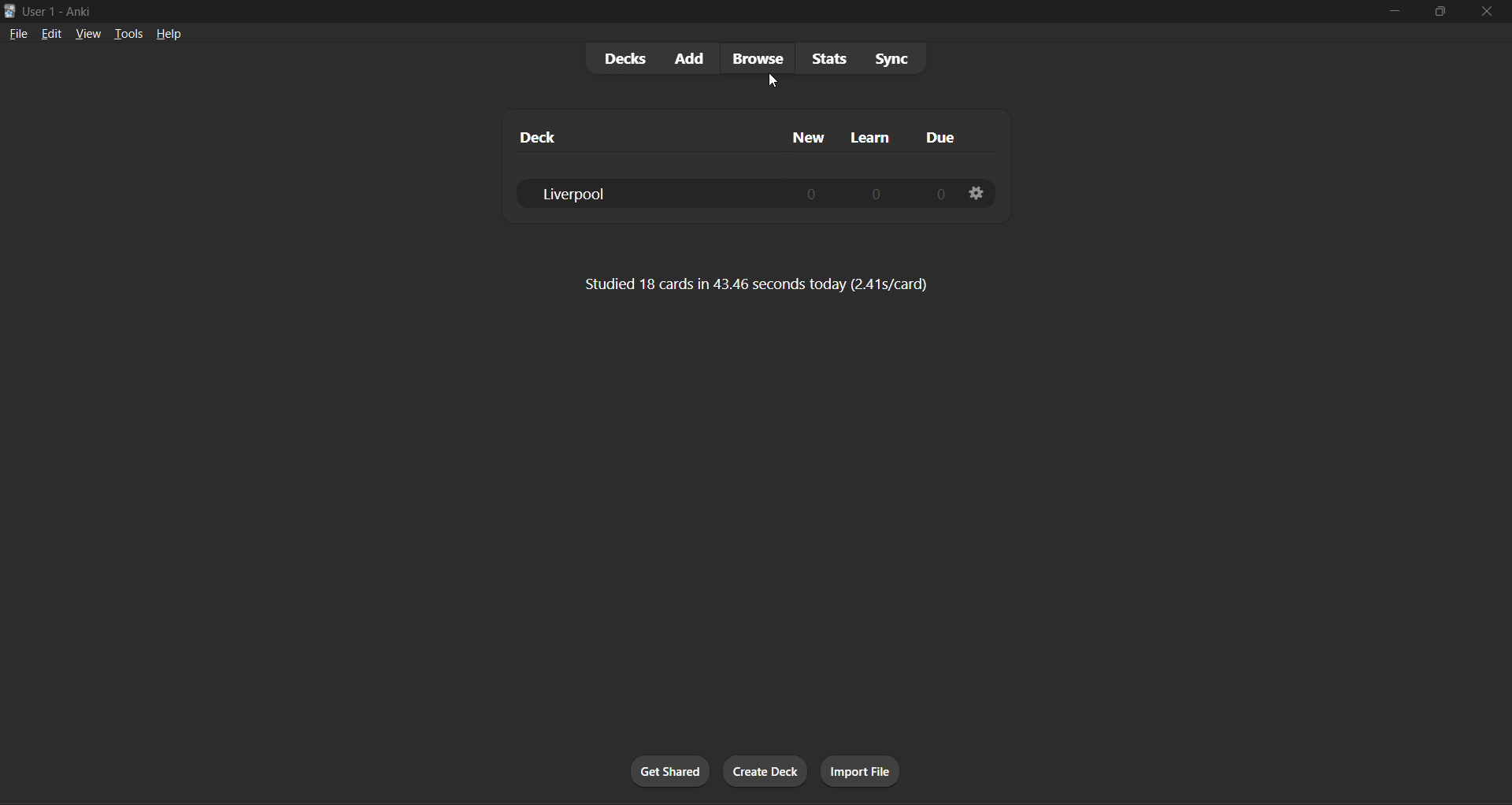 This screenshot has height=805, width=1512. I want to click on get shared, so click(676, 773).